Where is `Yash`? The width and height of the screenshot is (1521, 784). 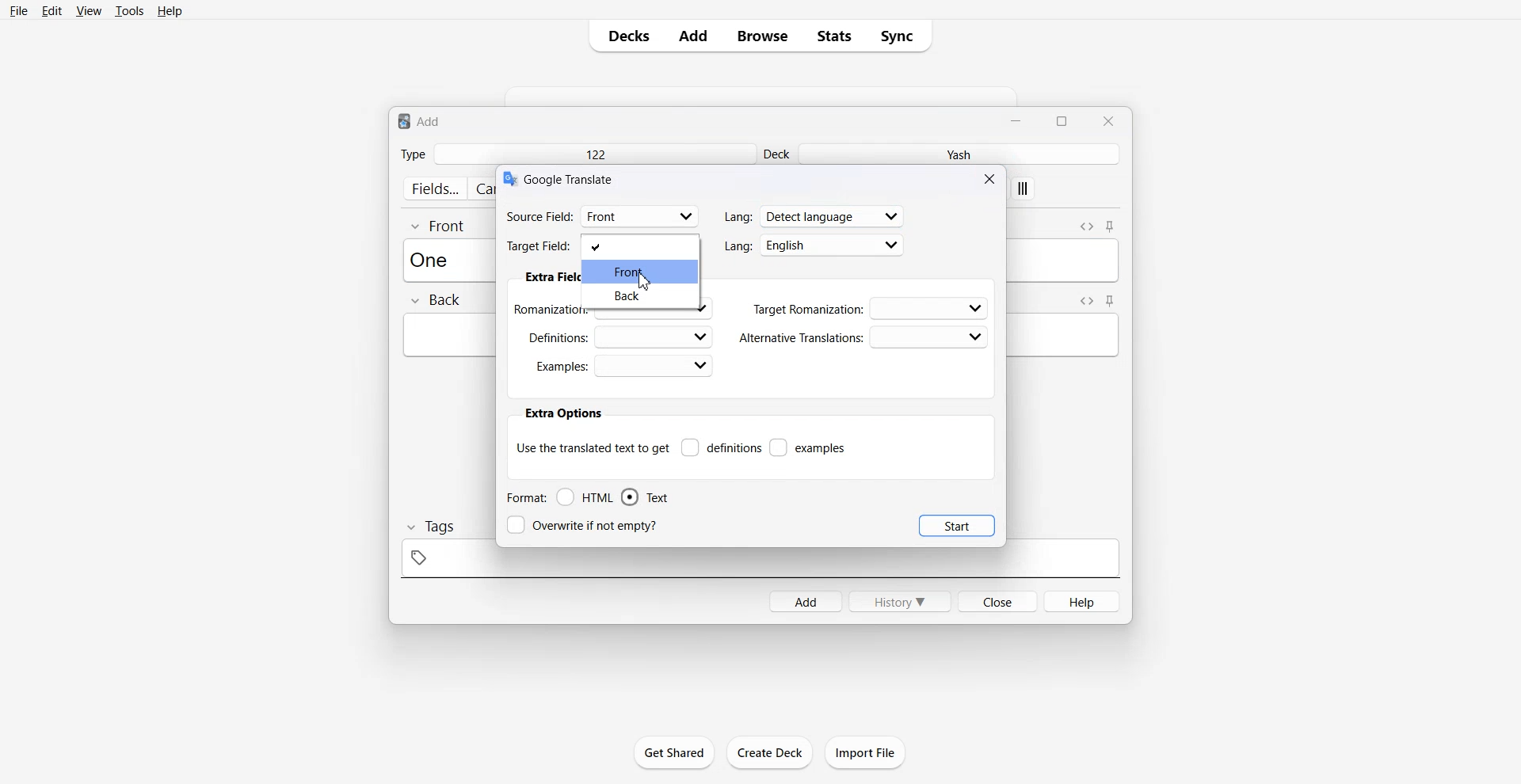
Yash is located at coordinates (963, 154).